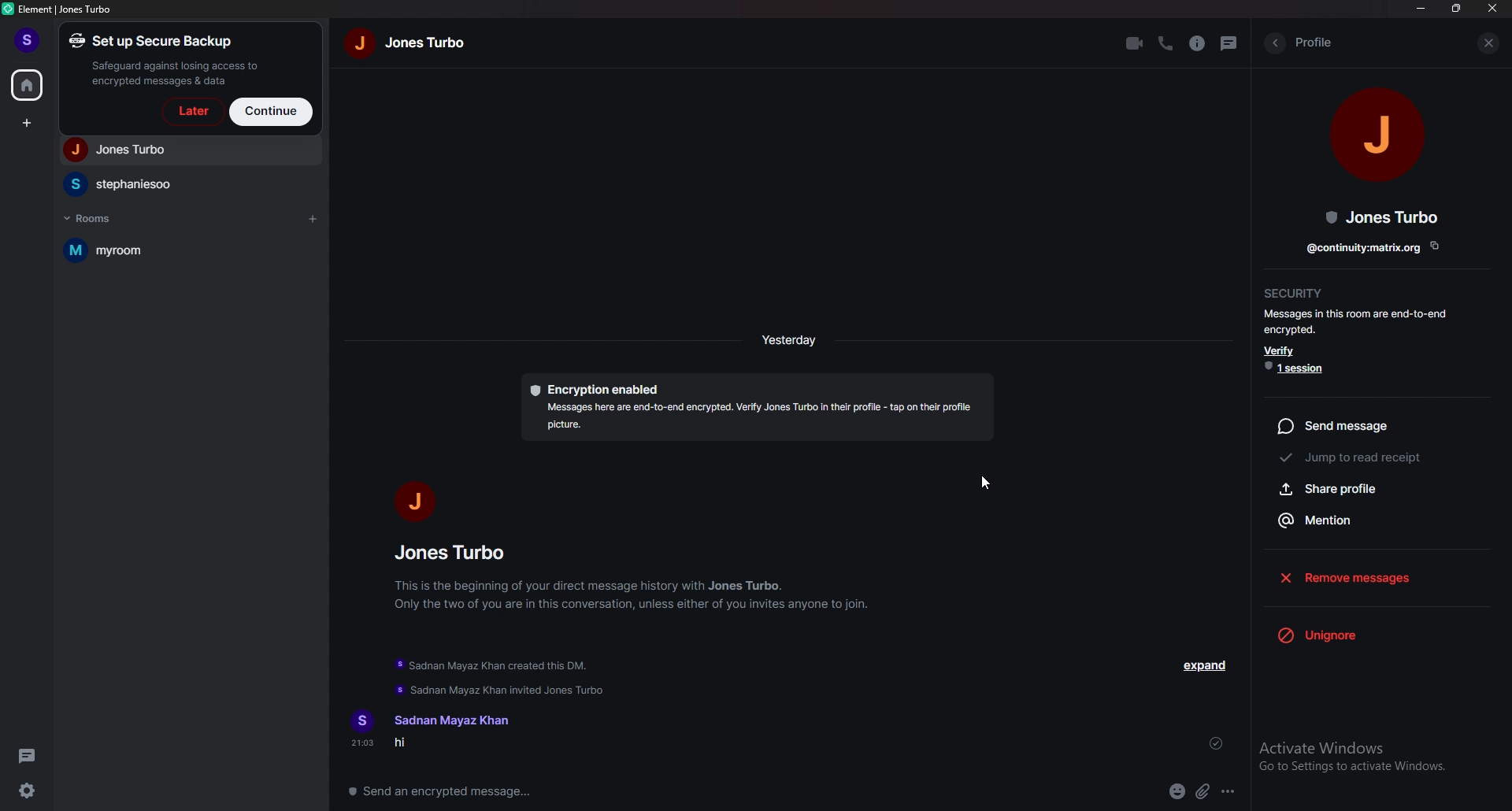 The image size is (1512, 811). I want to click on remove messages, so click(1377, 576).